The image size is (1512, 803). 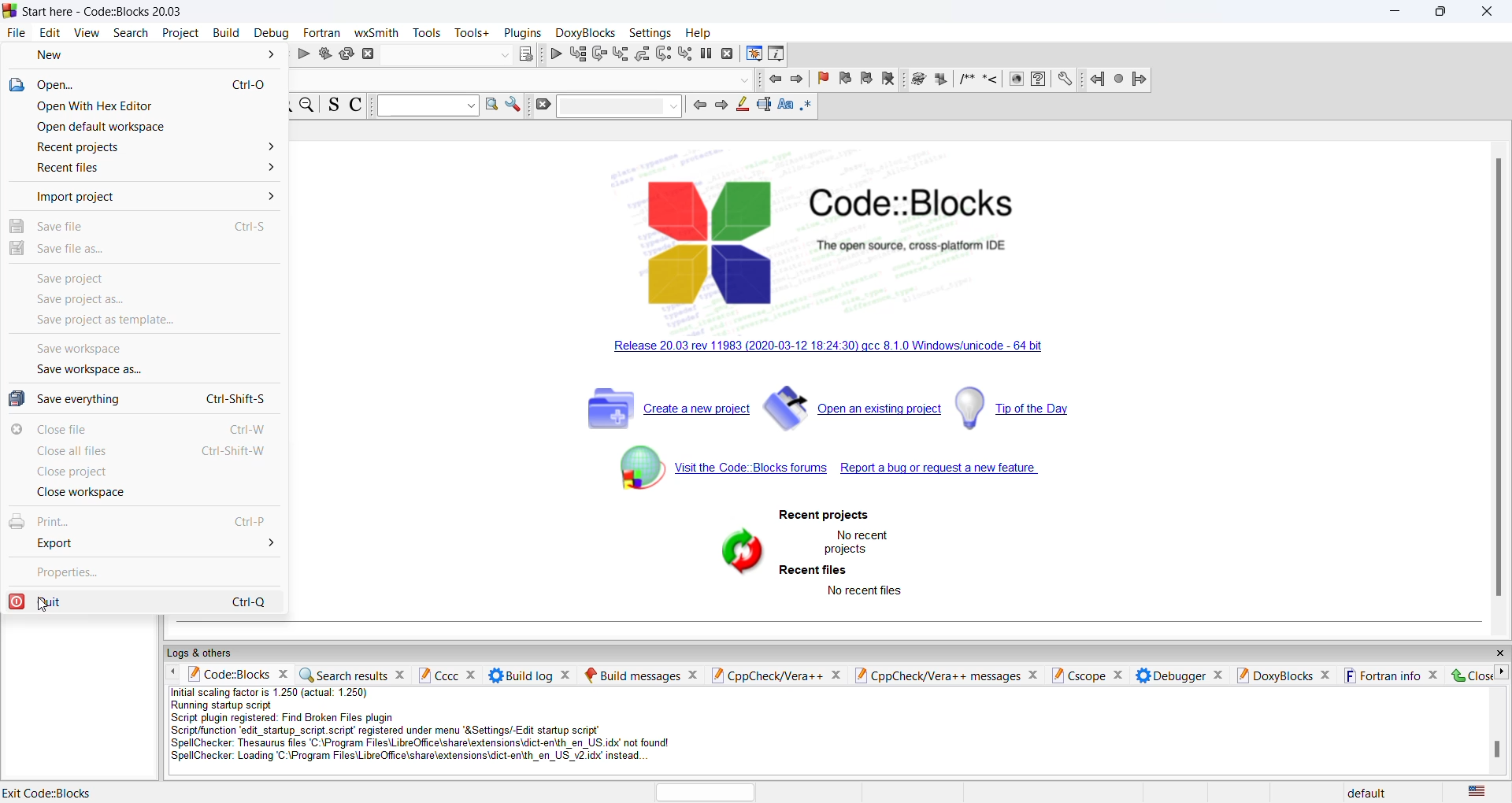 What do you see at coordinates (599, 54) in the screenshot?
I see `next line` at bounding box center [599, 54].